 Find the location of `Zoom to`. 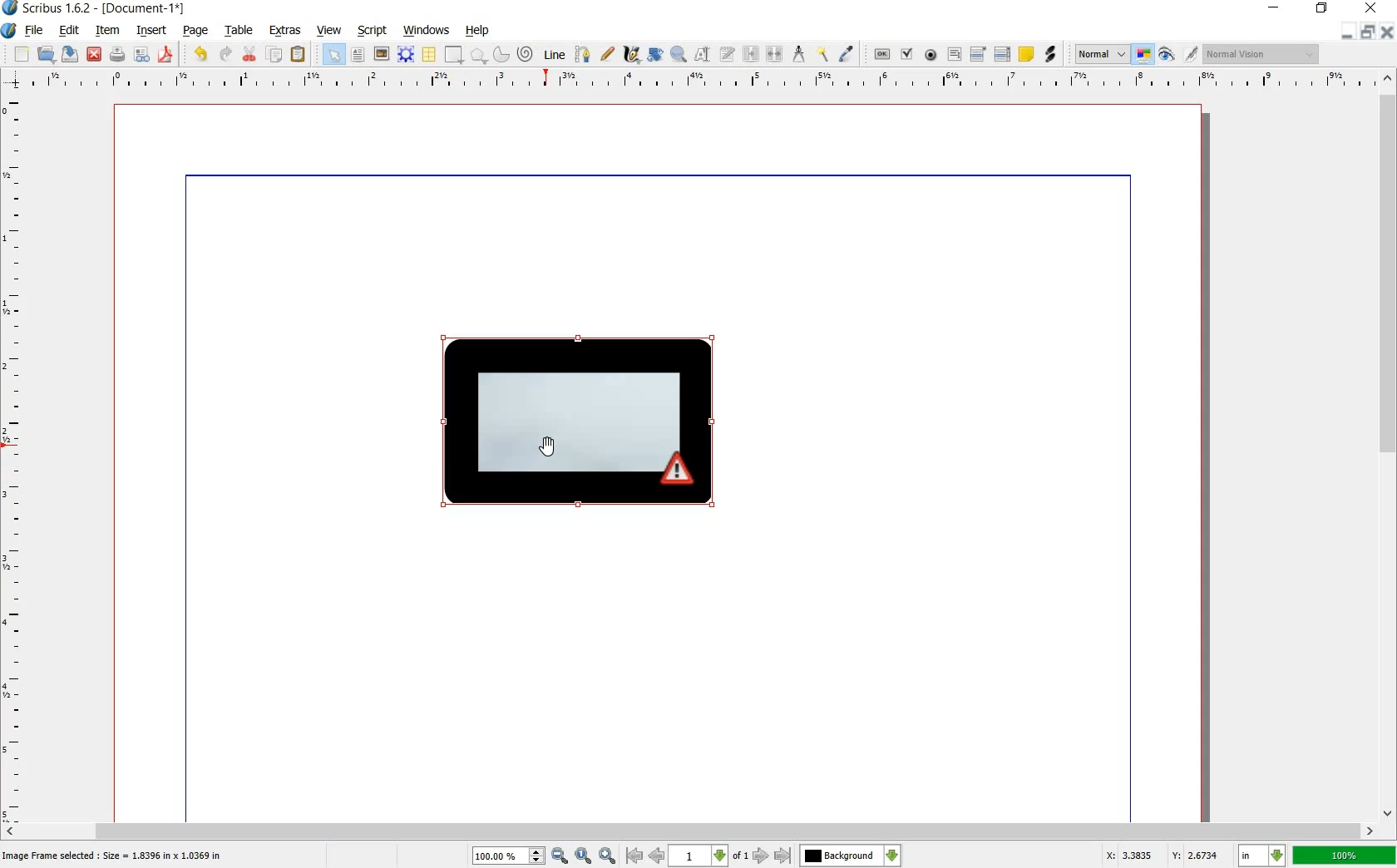

Zoom to is located at coordinates (585, 855).